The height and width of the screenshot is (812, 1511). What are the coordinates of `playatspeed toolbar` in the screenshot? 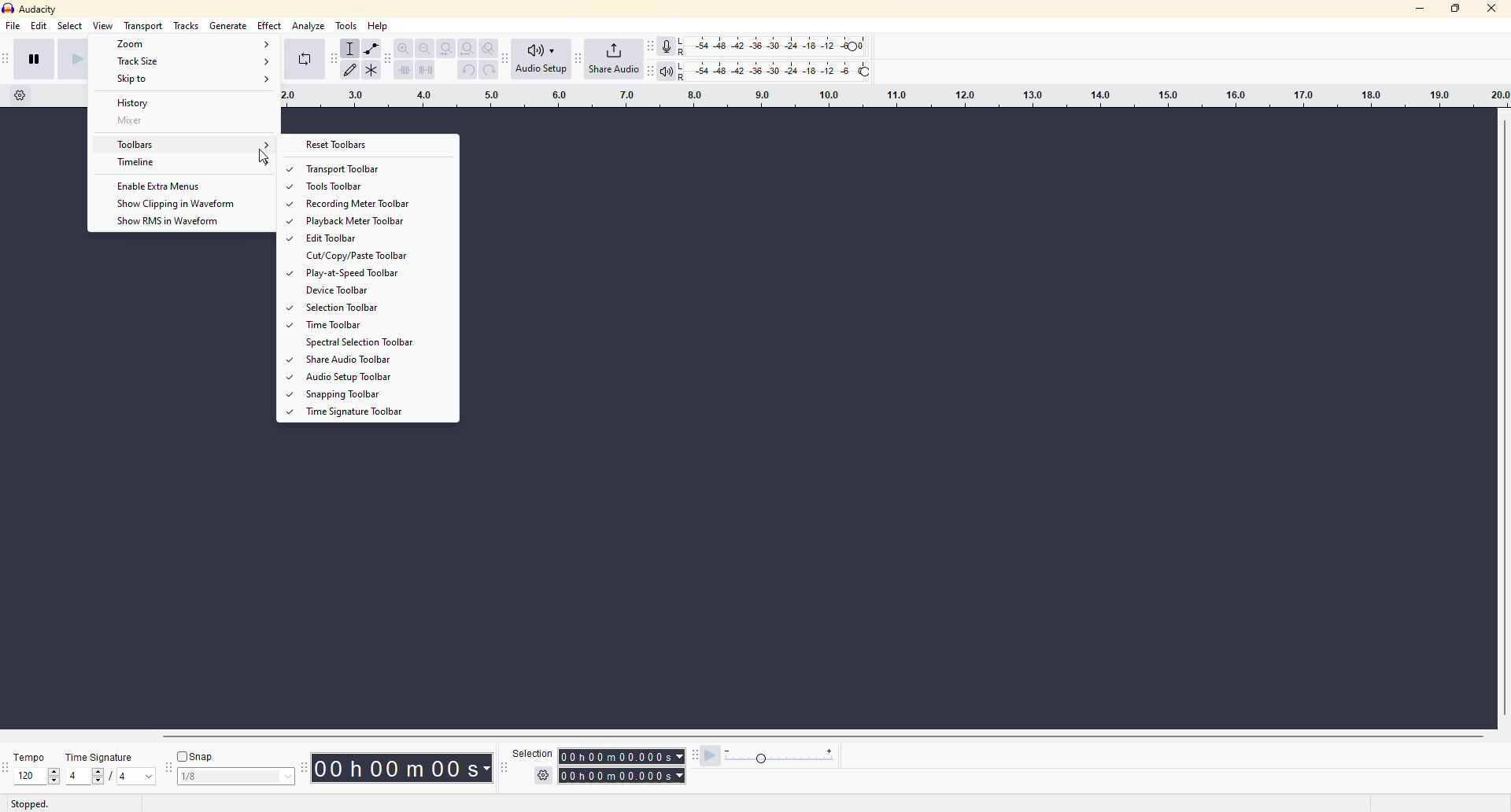 It's located at (346, 273).